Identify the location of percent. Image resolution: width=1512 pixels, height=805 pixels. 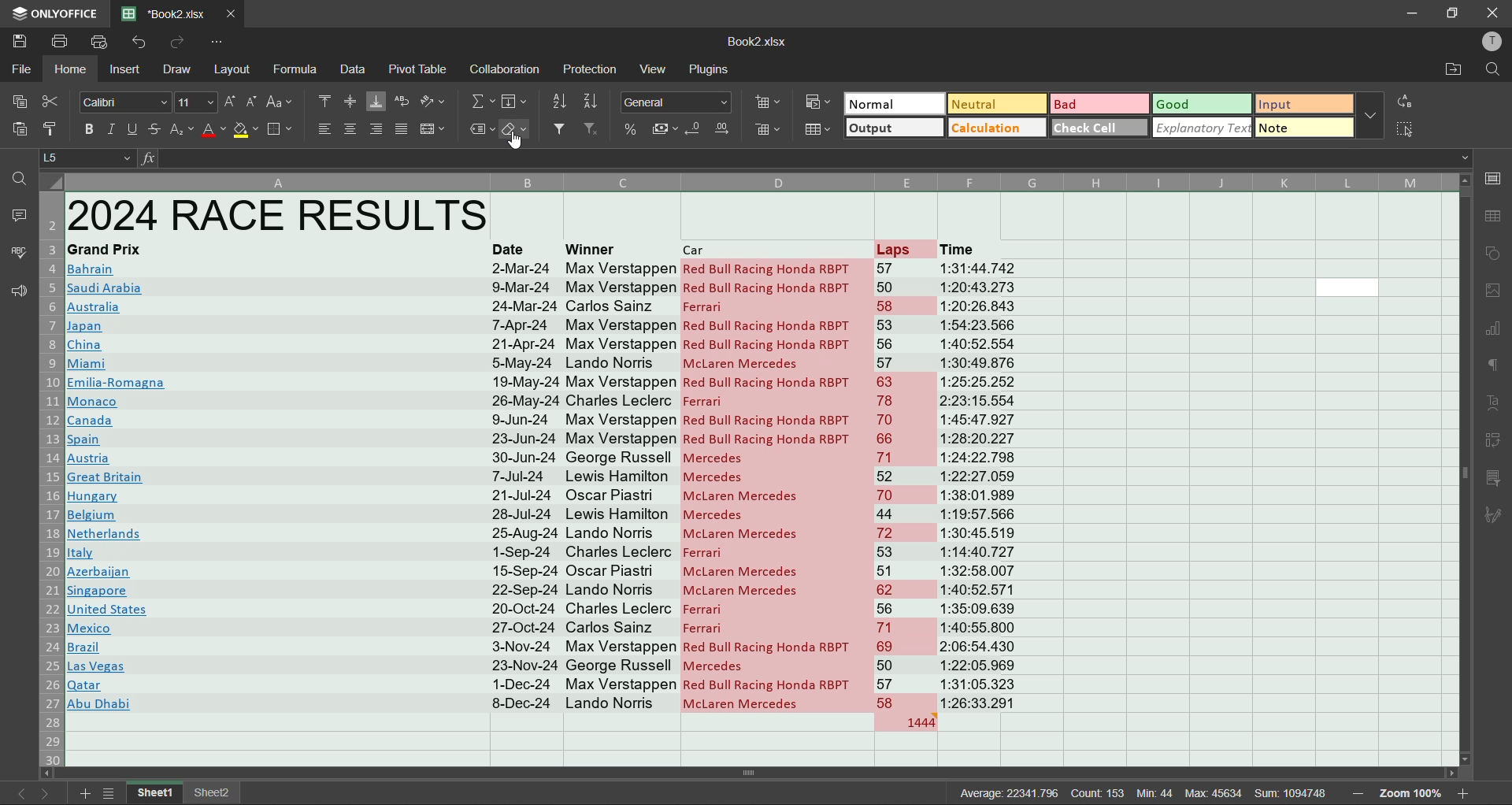
(630, 129).